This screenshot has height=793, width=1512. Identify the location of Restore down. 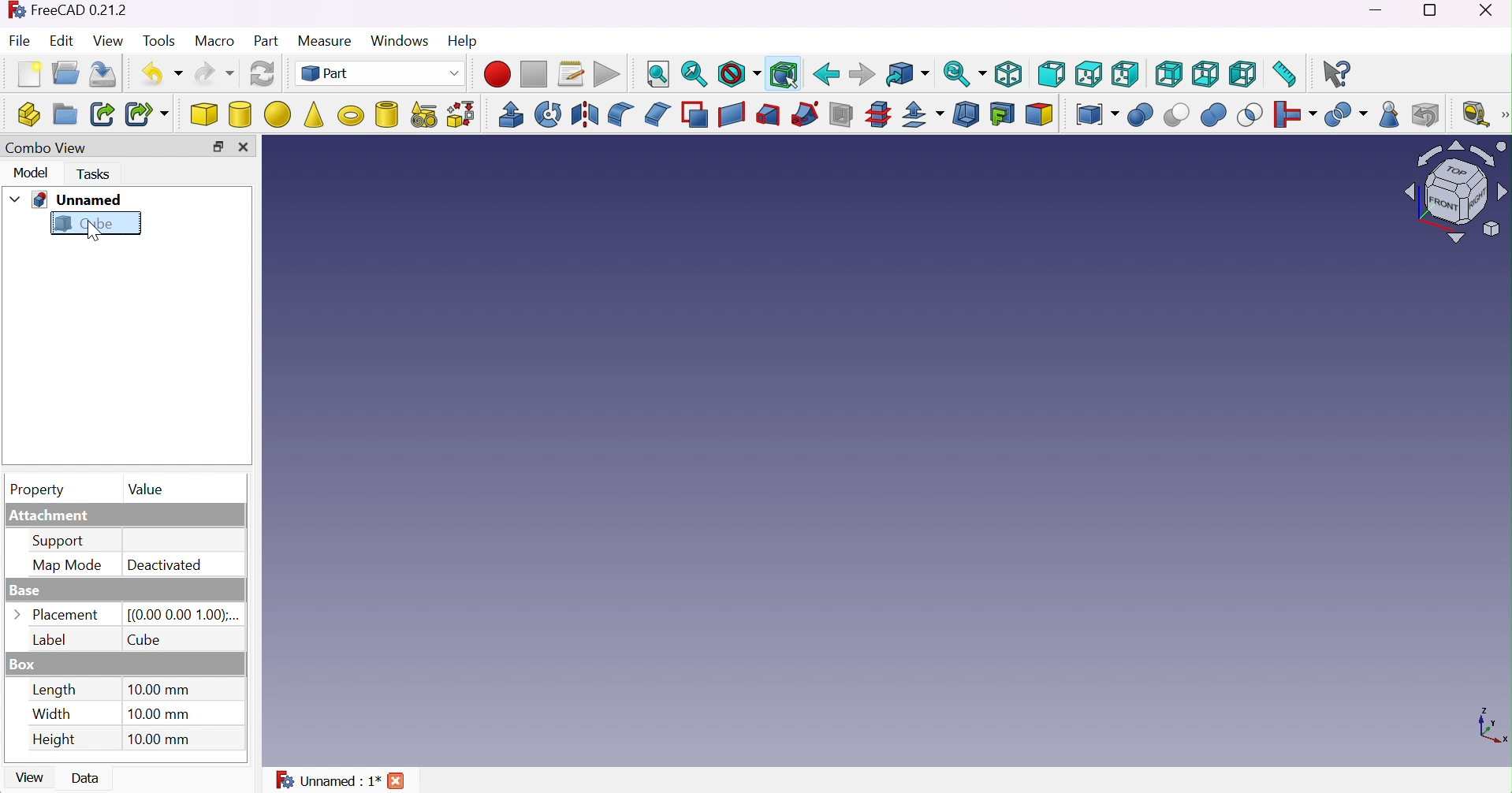
(222, 148).